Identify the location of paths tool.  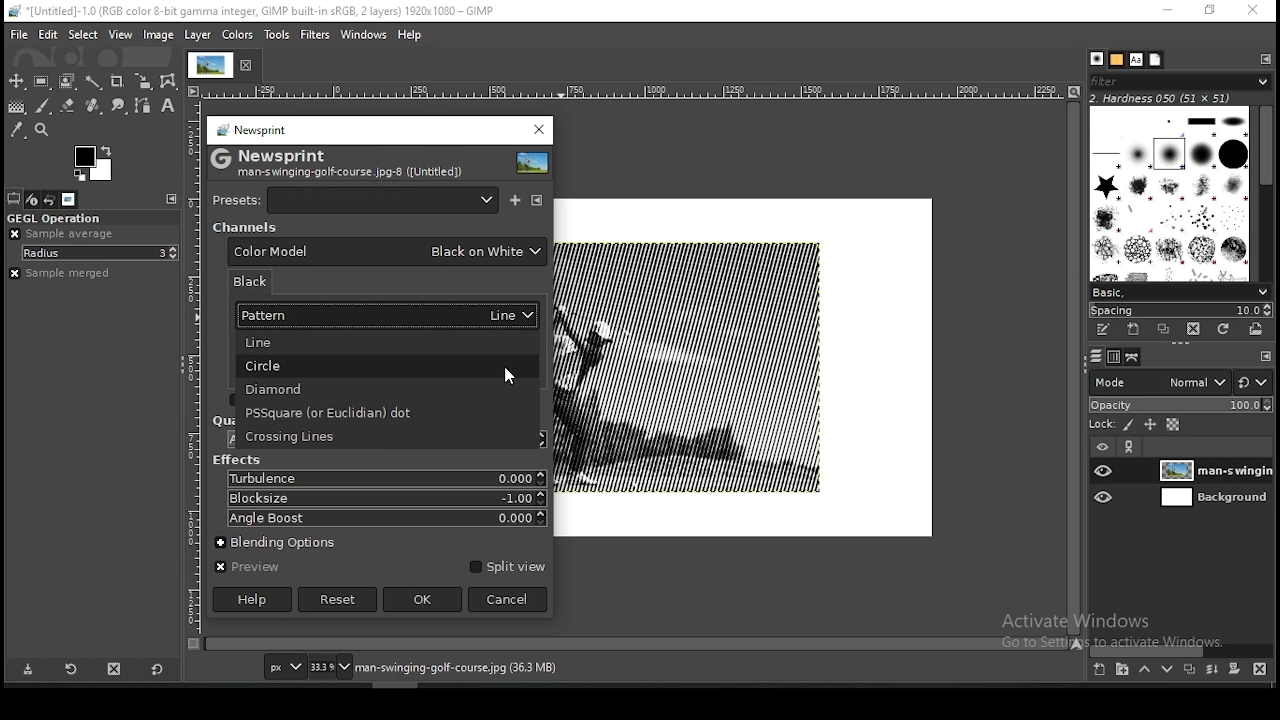
(141, 105).